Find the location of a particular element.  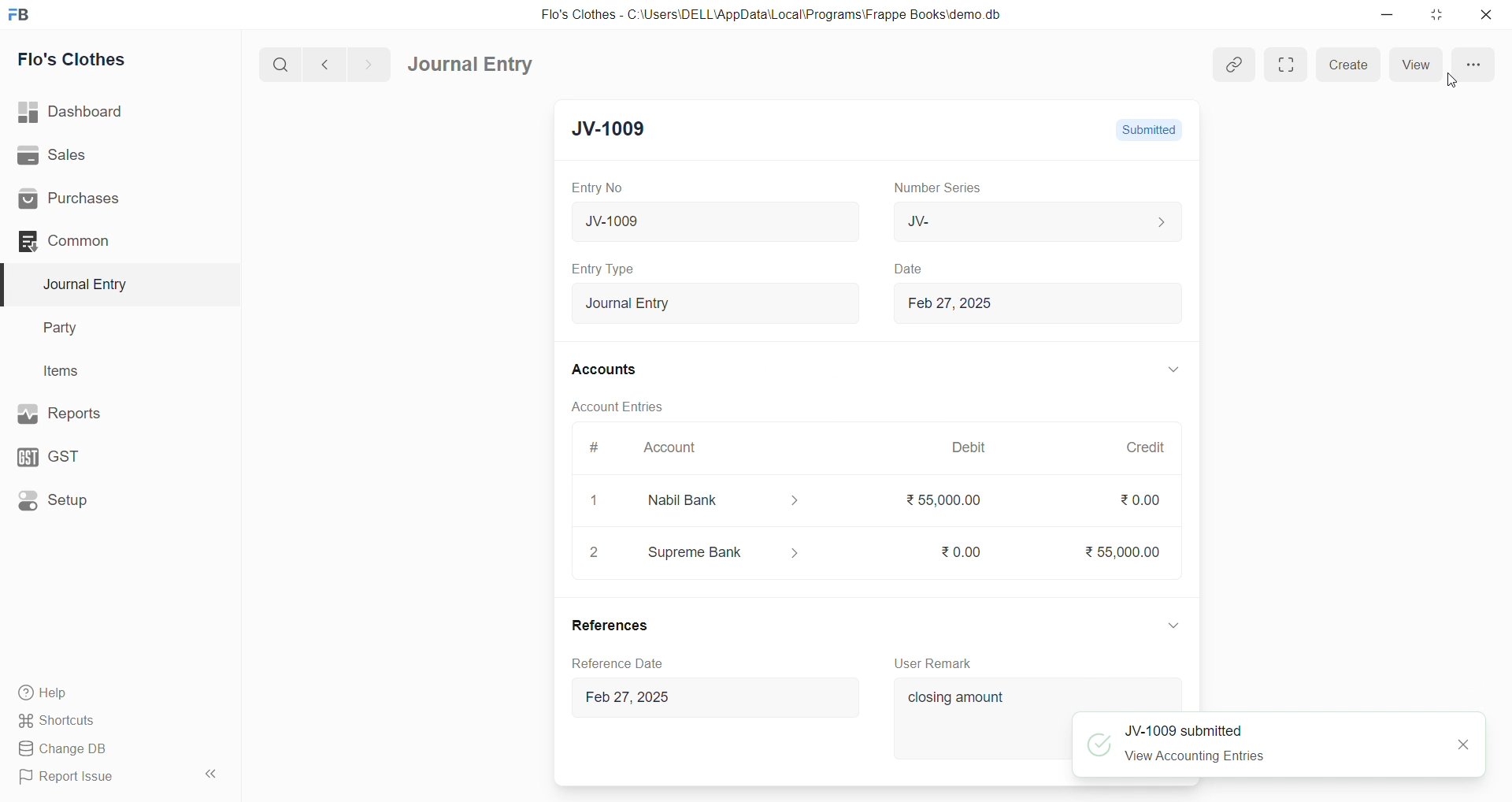

Sales is located at coordinates (94, 154).